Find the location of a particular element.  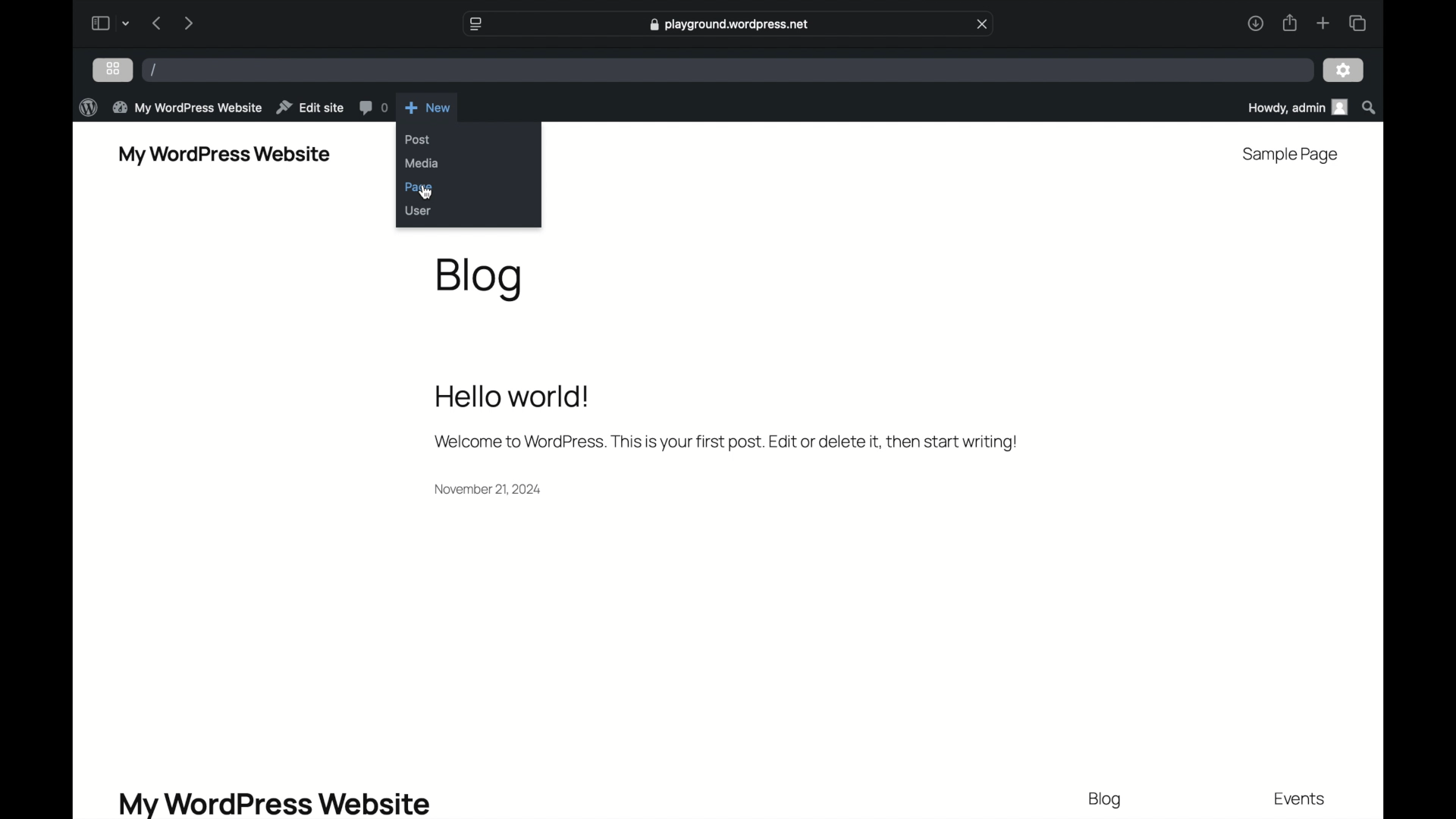

settings is located at coordinates (1345, 69).